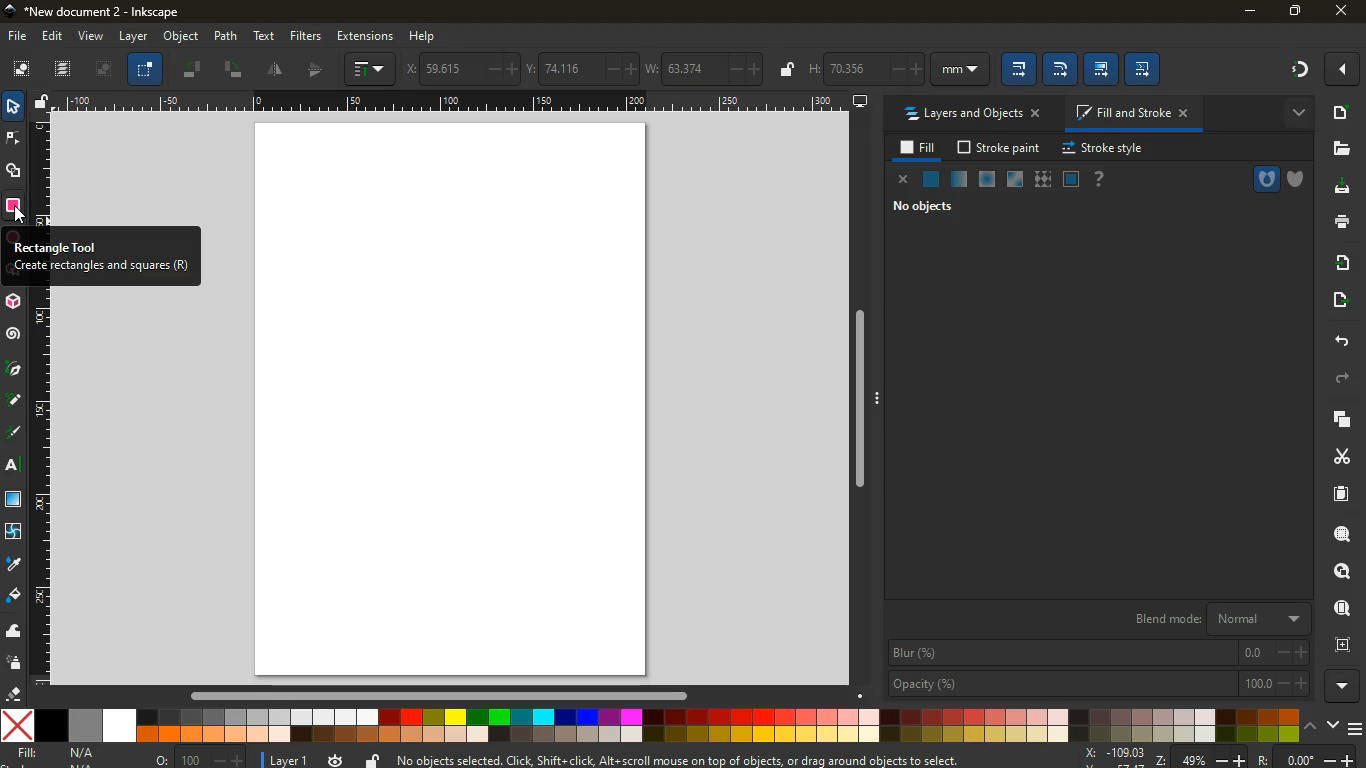 The height and width of the screenshot is (768, 1366). Describe the element at coordinates (1341, 534) in the screenshot. I see `search` at that location.